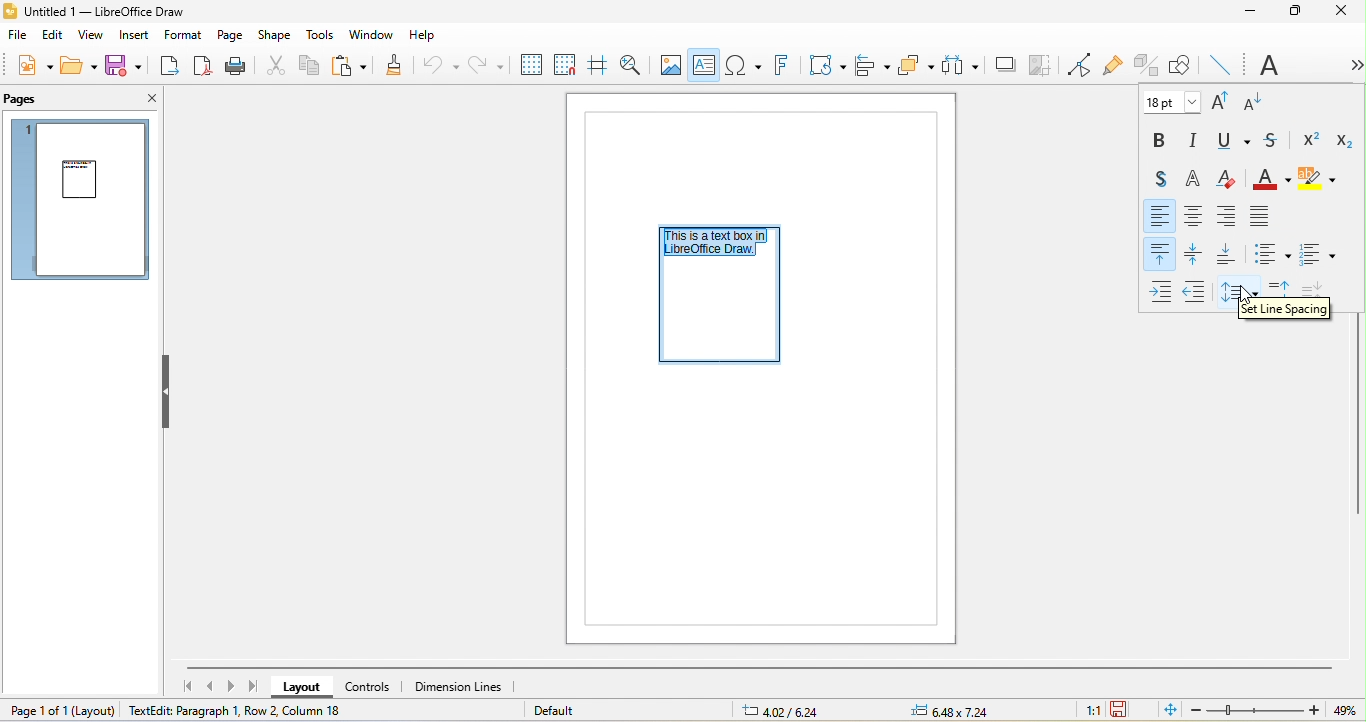 This screenshot has width=1366, height=722. I want to click on layout, so click(306, 688).